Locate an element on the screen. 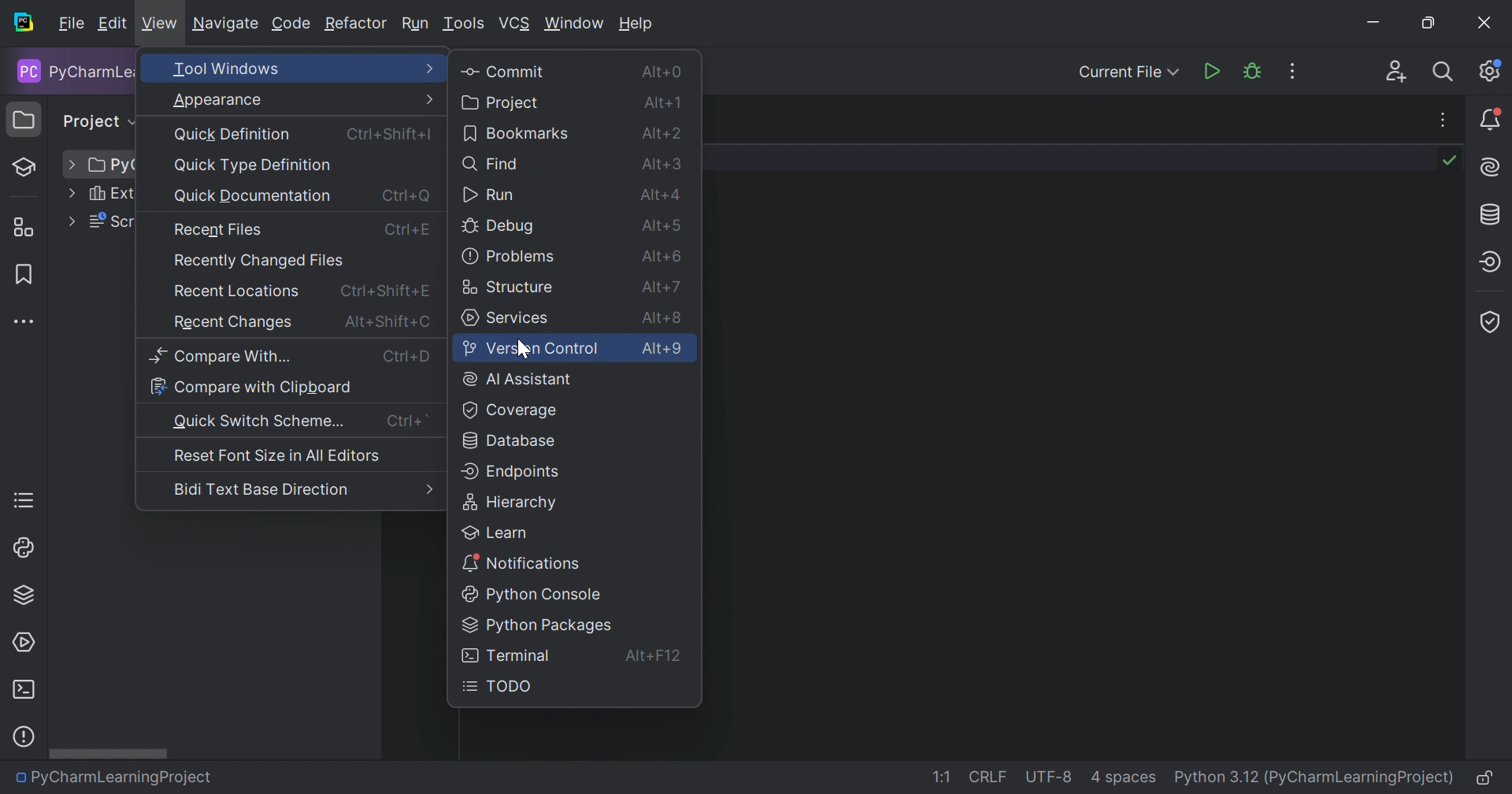 The image size is (1512, 794). Hierarchy is located at coordinates (510, 501).